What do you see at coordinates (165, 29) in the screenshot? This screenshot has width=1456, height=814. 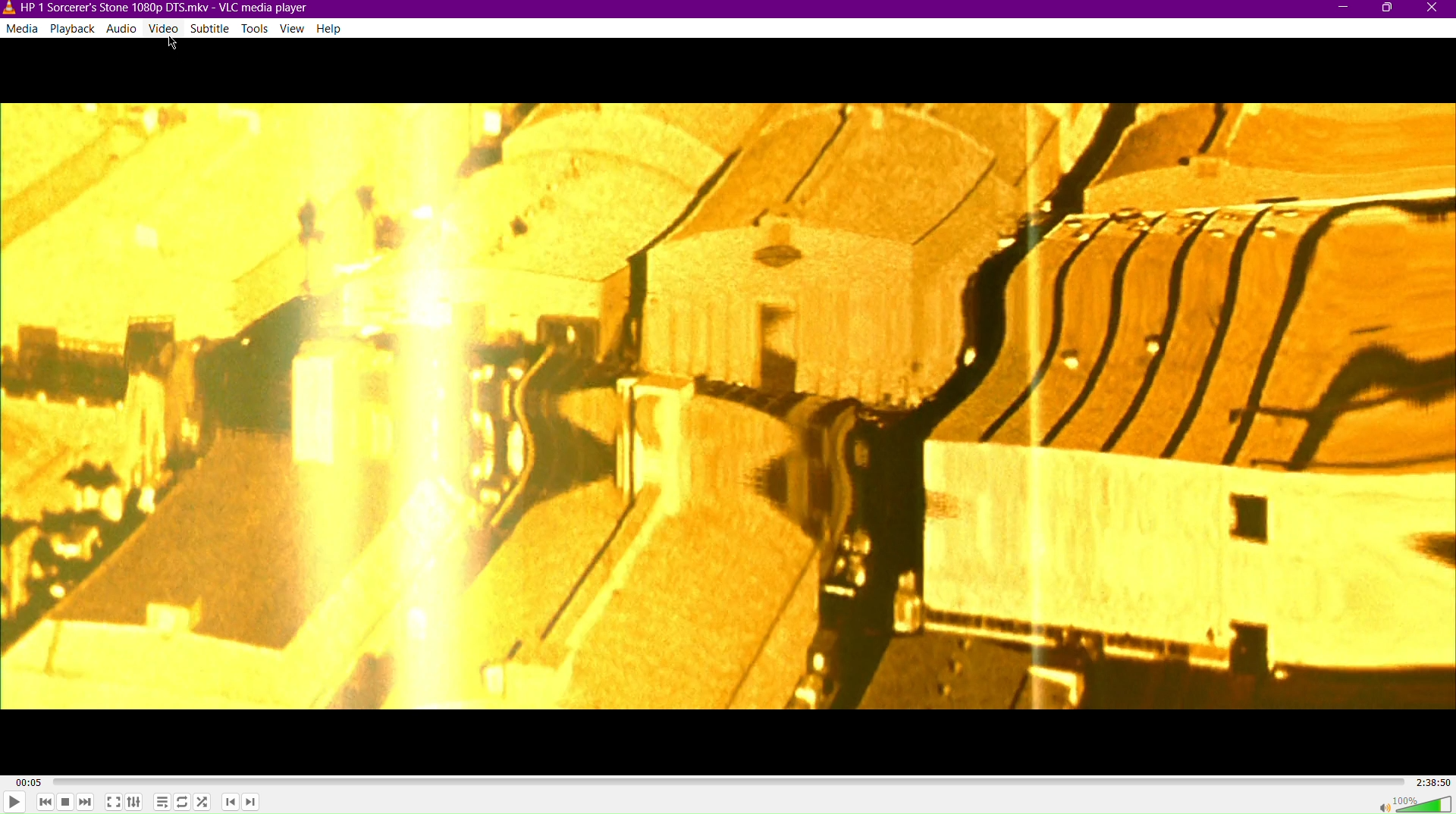 I see `Video` at bounding box center [165, 29].